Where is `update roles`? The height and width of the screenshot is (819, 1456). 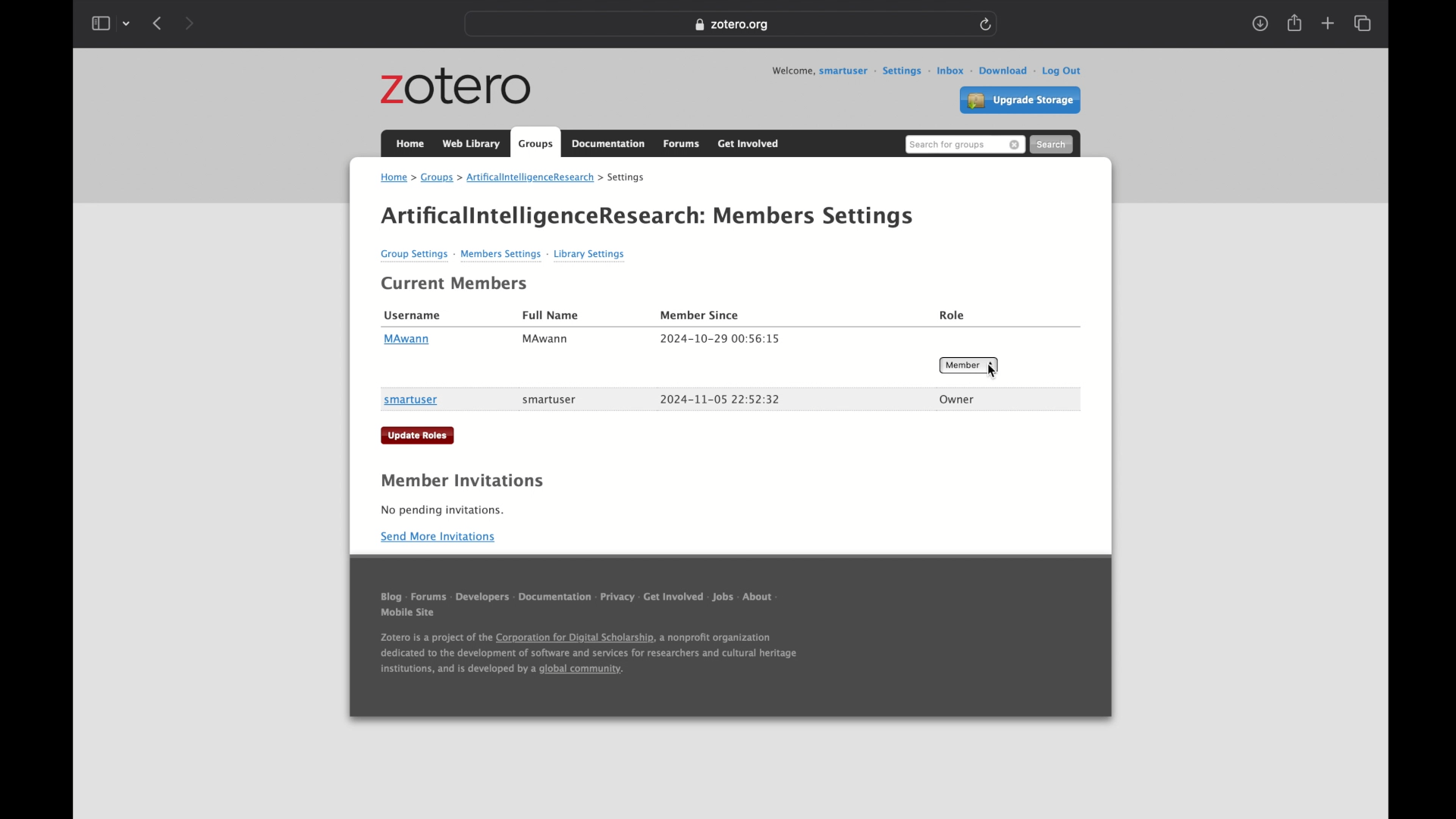 update roles is located at coordinates (419, 435).